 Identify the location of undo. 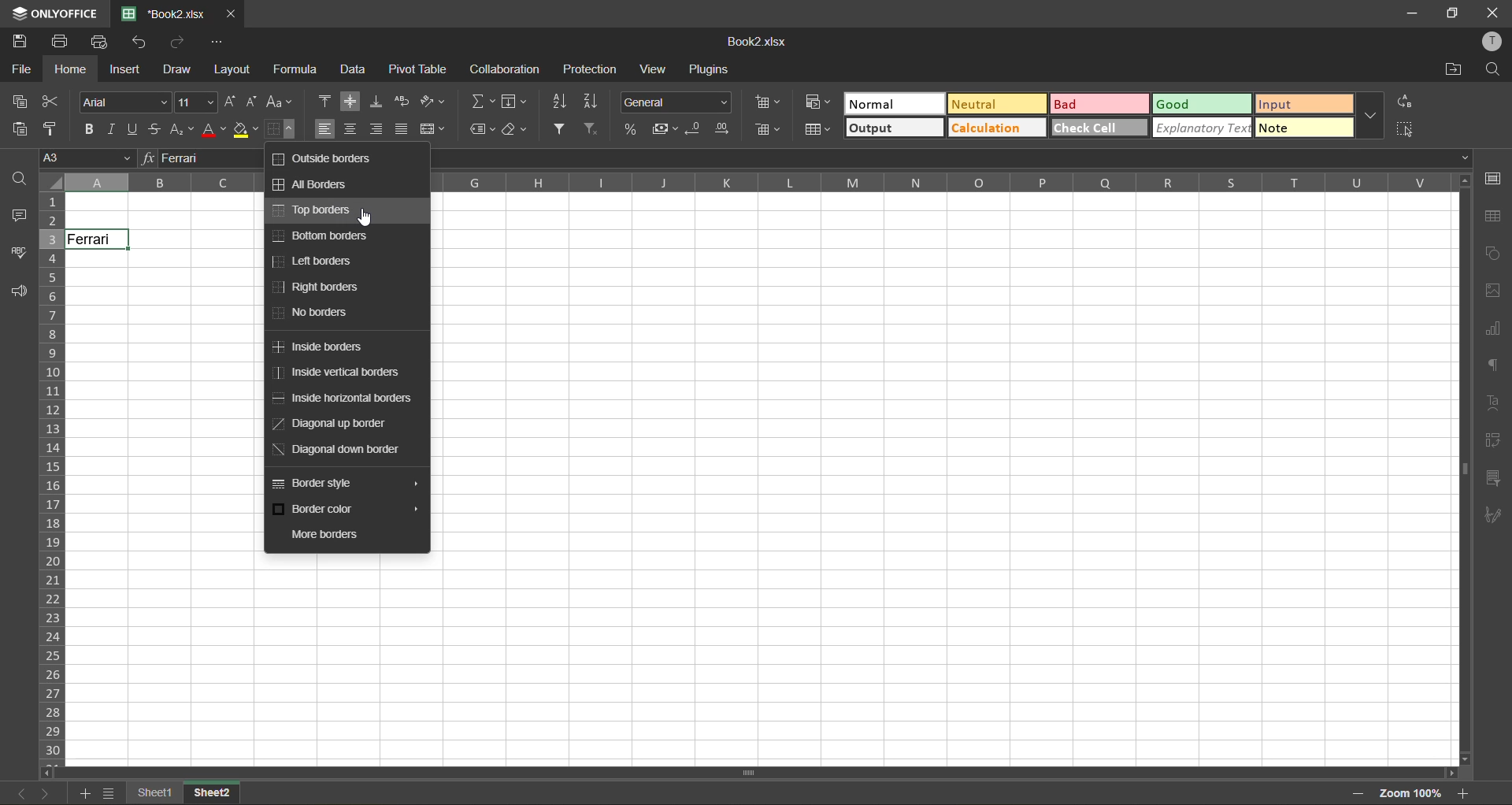
(140, 43).